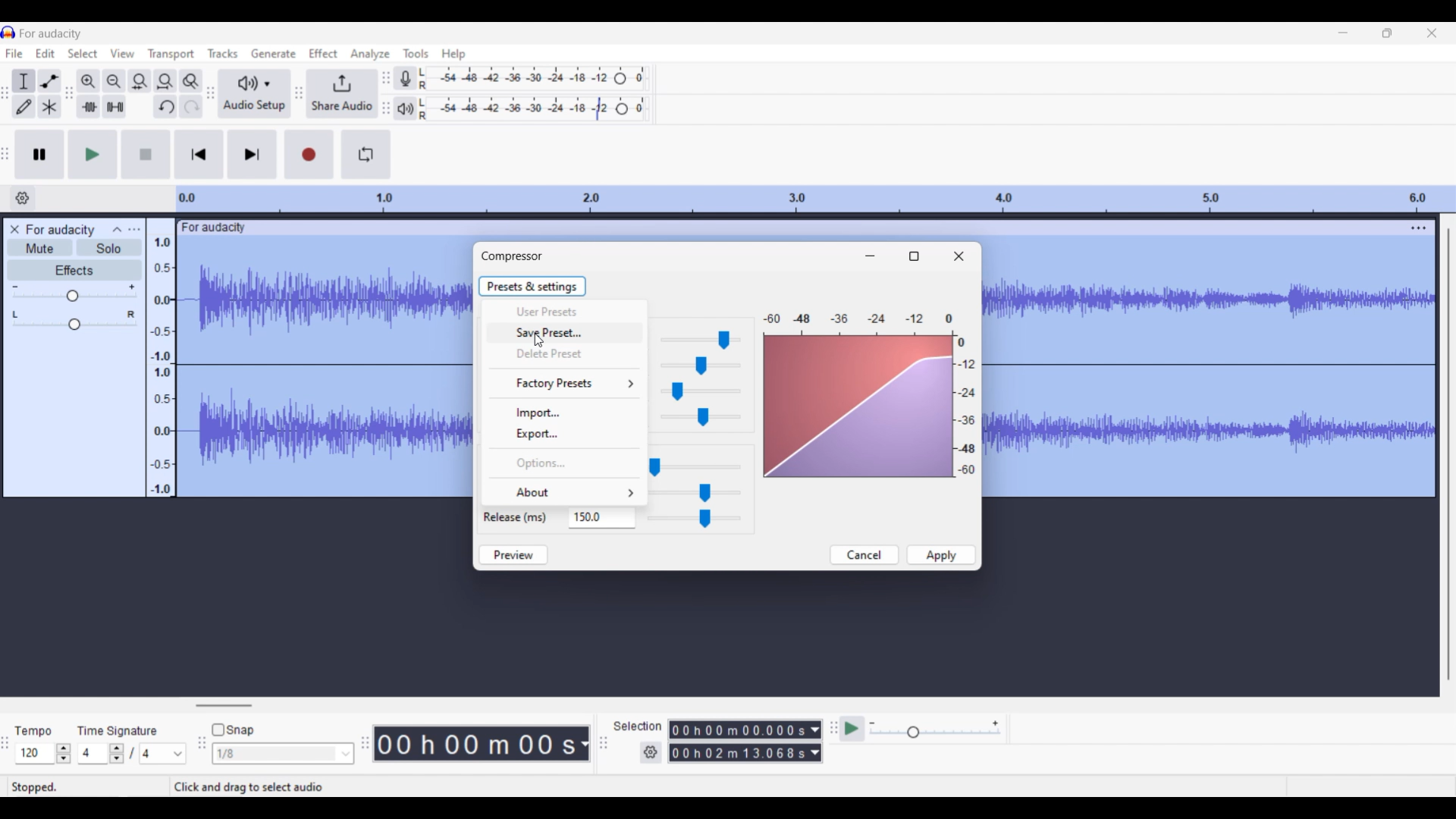 The image size is (1456, 819). I want to click on Tracks menu , so click(222, 53).